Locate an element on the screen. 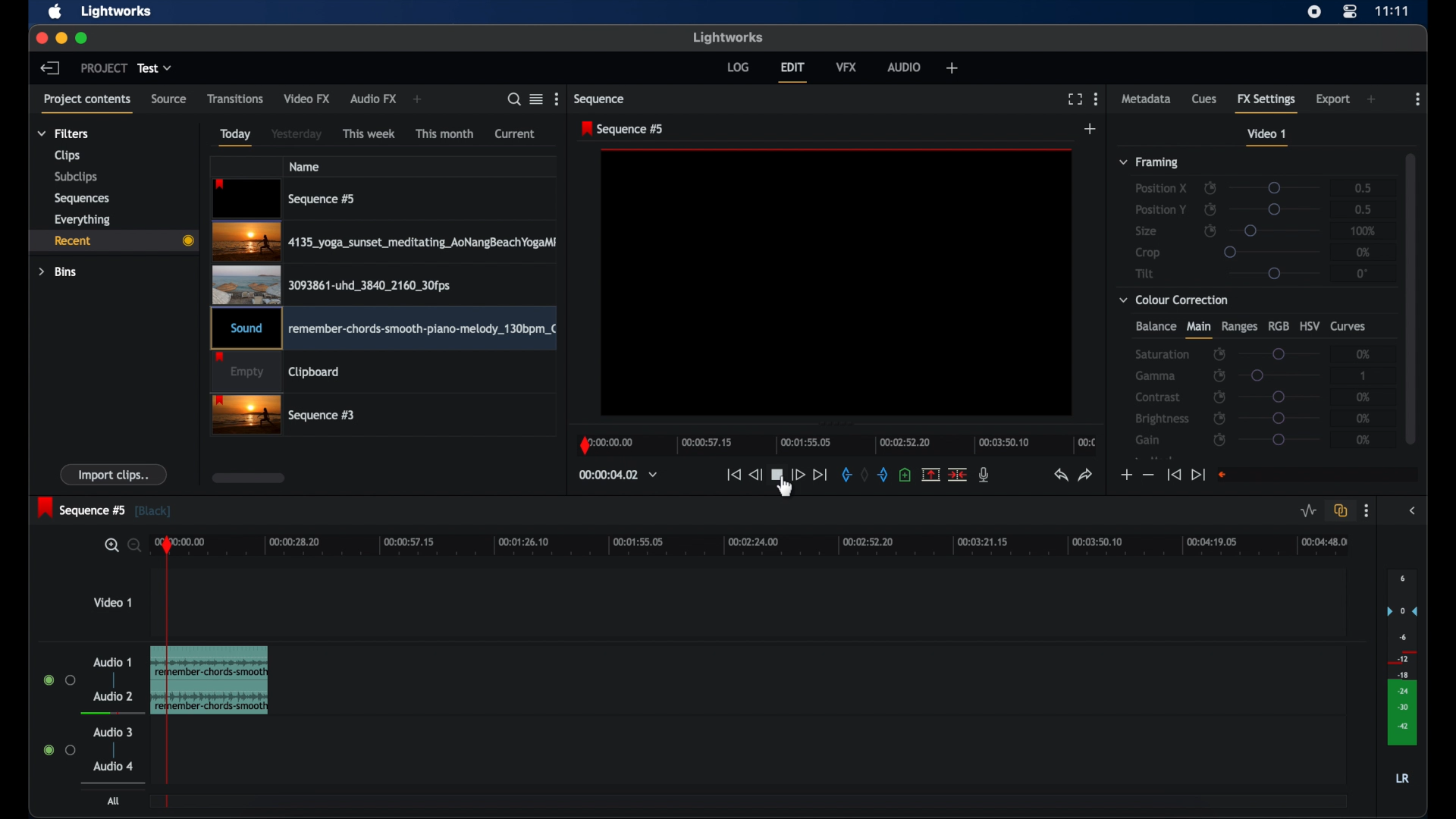 The height and width of the screenshot is (819, 1456). slider is located at coordinates (1276, 231).